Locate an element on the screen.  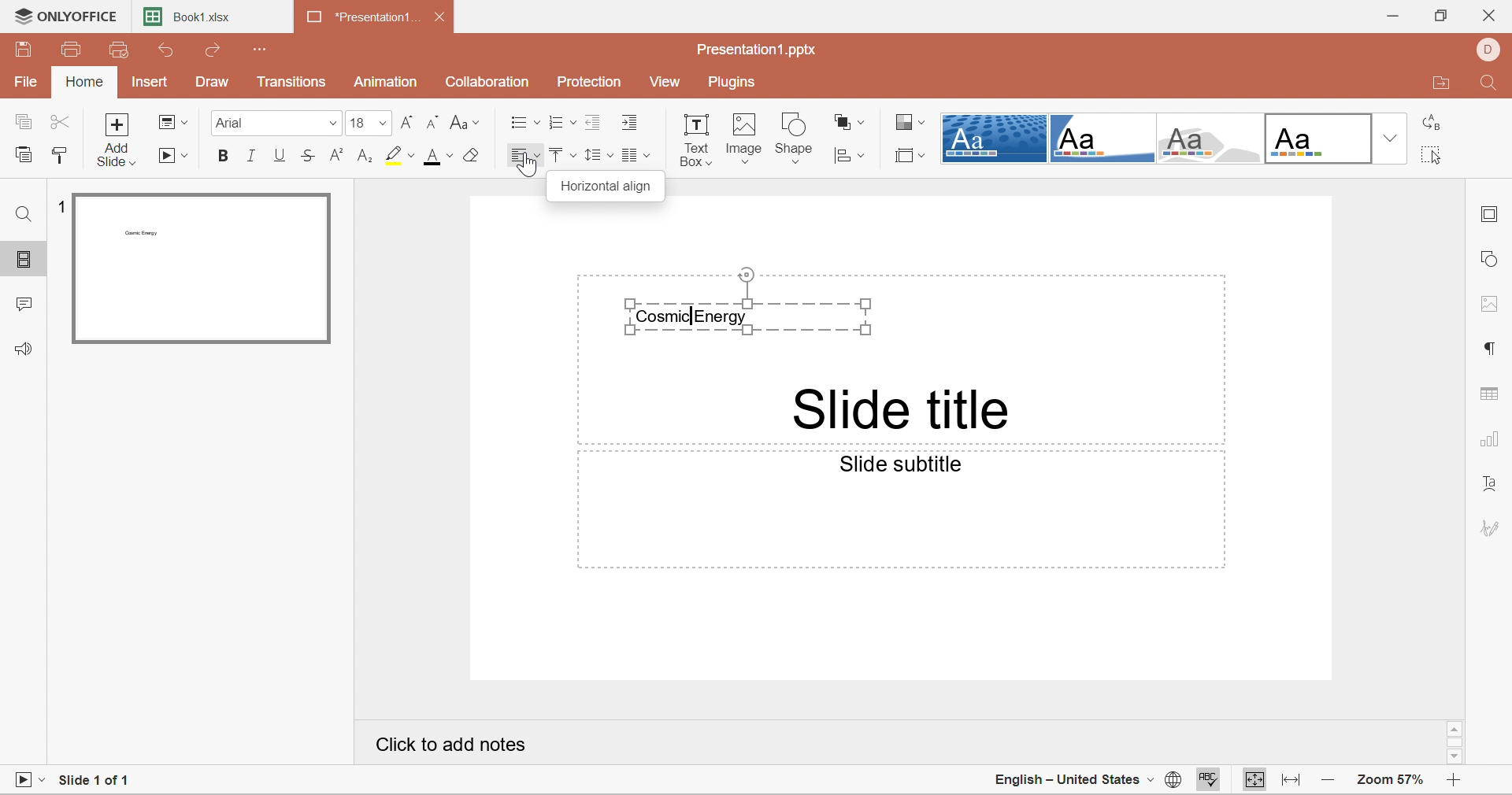
File is located at coordinates (26, 83).